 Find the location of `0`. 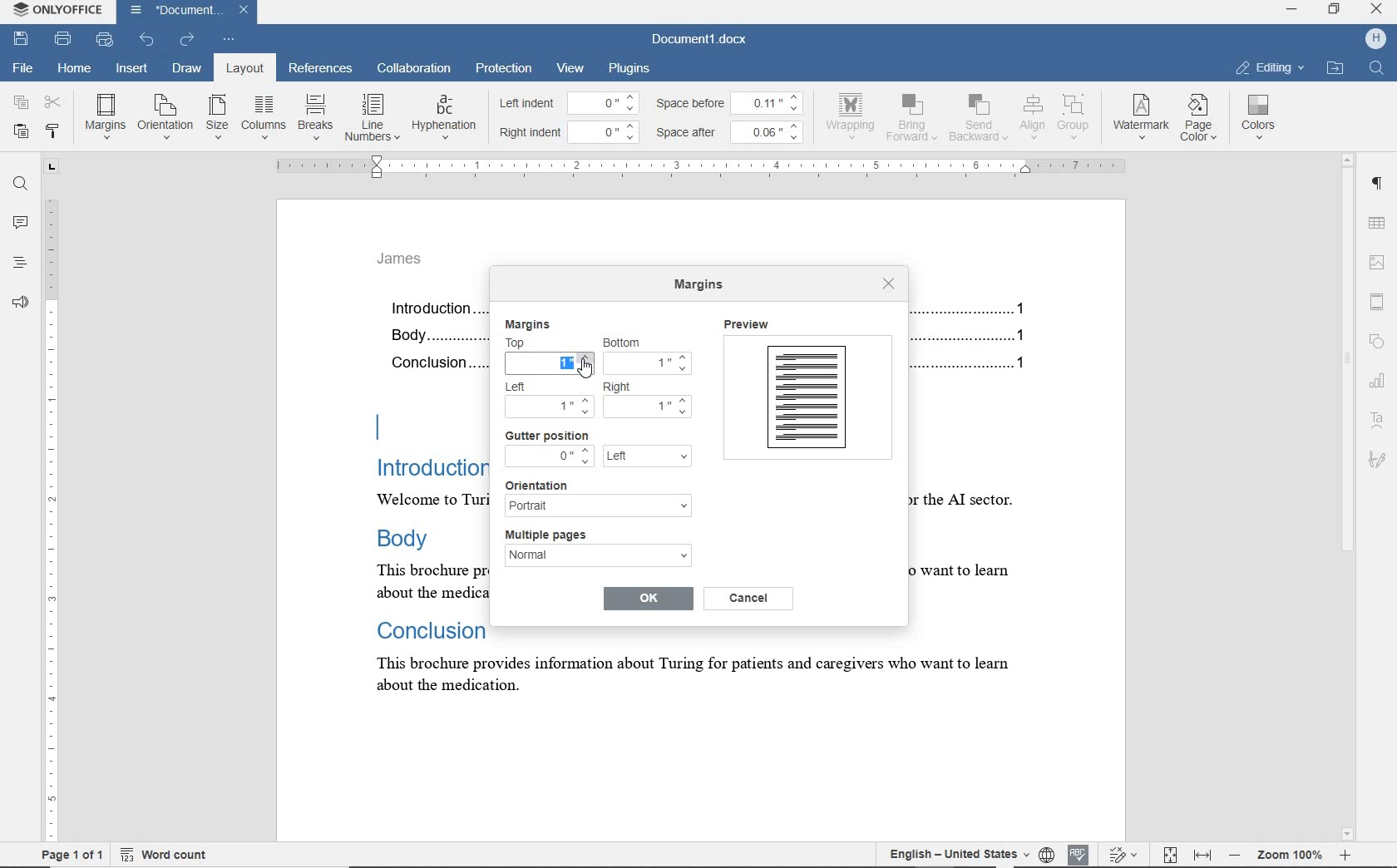

0 is located at coordinates (549, 456).